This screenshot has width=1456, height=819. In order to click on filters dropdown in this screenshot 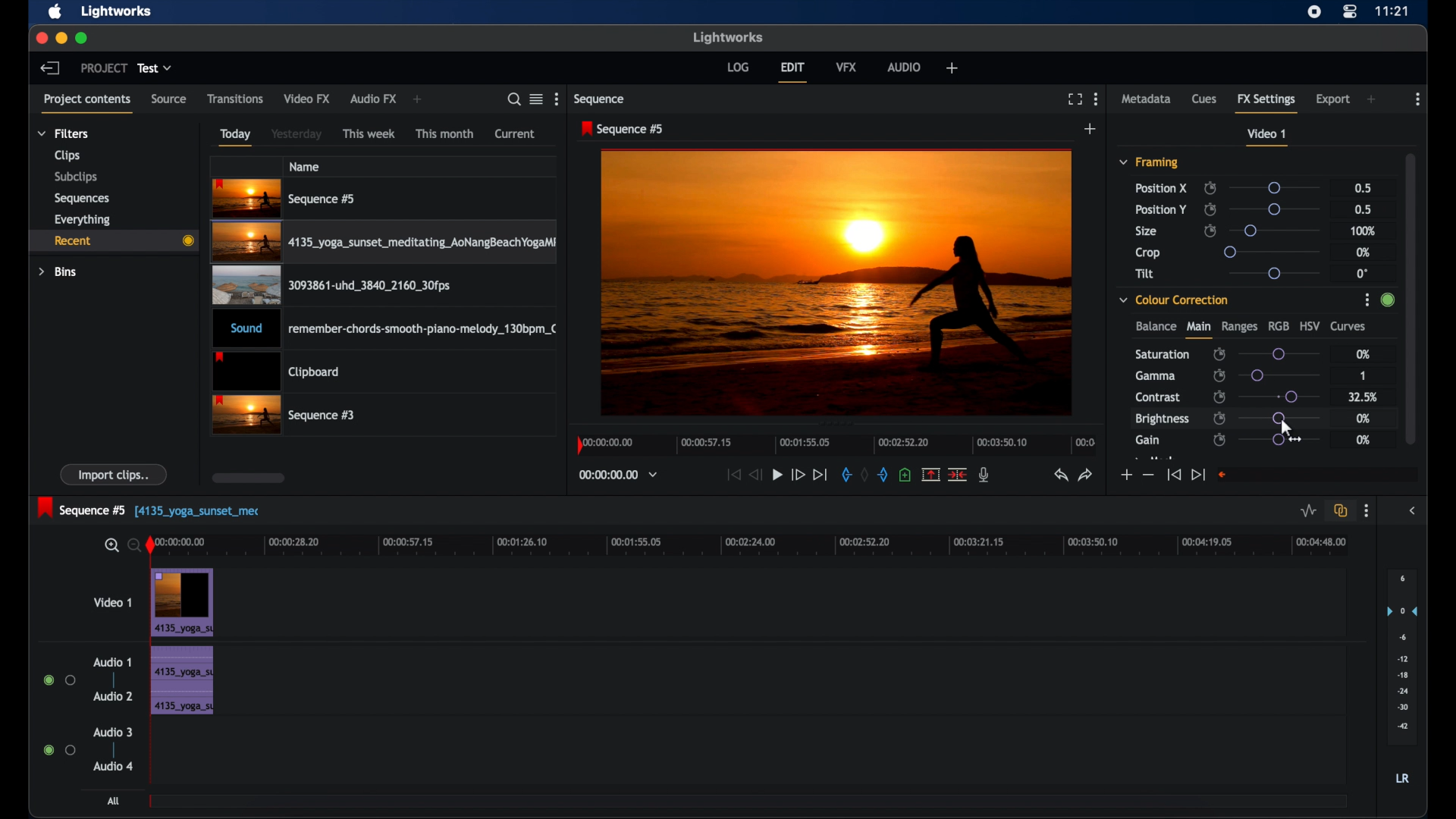, I will do `click(67, 134)`.